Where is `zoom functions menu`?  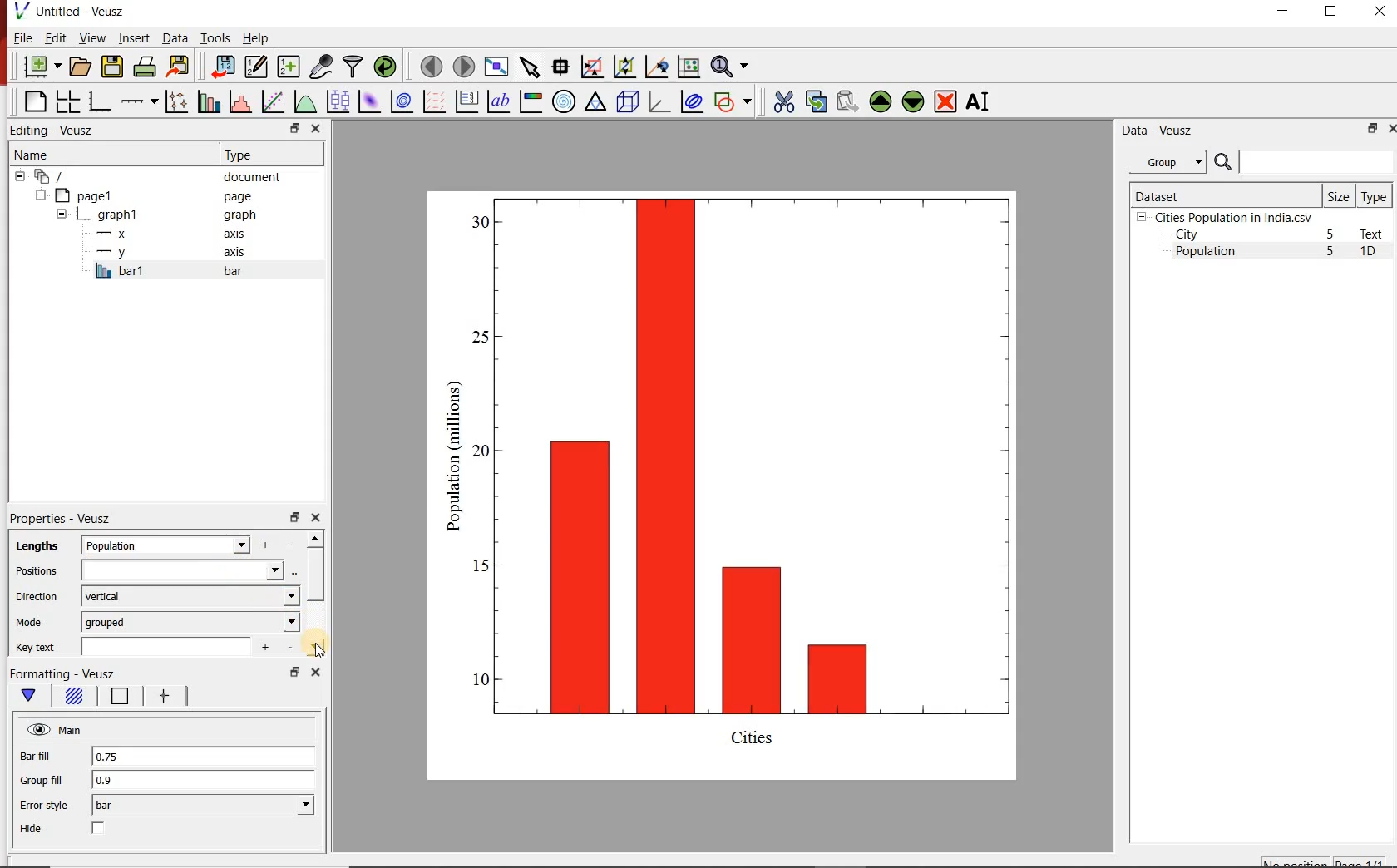 zoom functions menu is located at coordinates (733, 67).